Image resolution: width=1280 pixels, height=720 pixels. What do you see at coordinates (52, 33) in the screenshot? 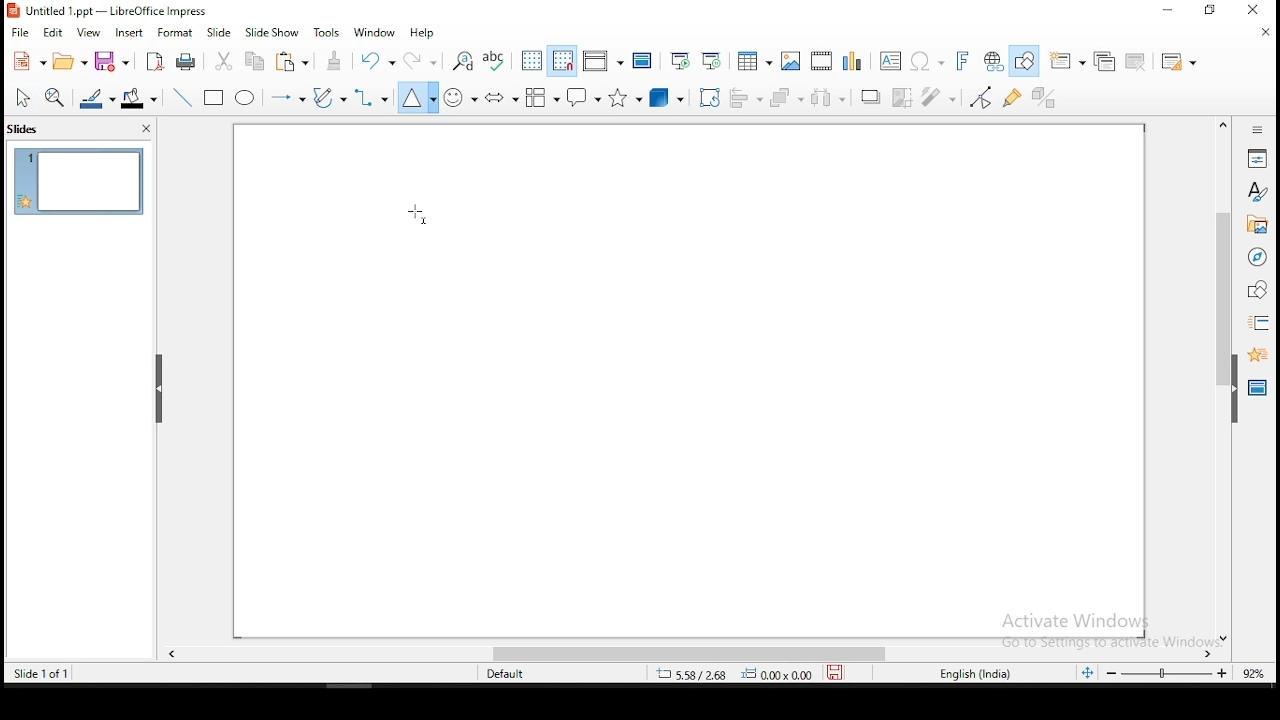
I see `edit` at bounding box center [52, 33].